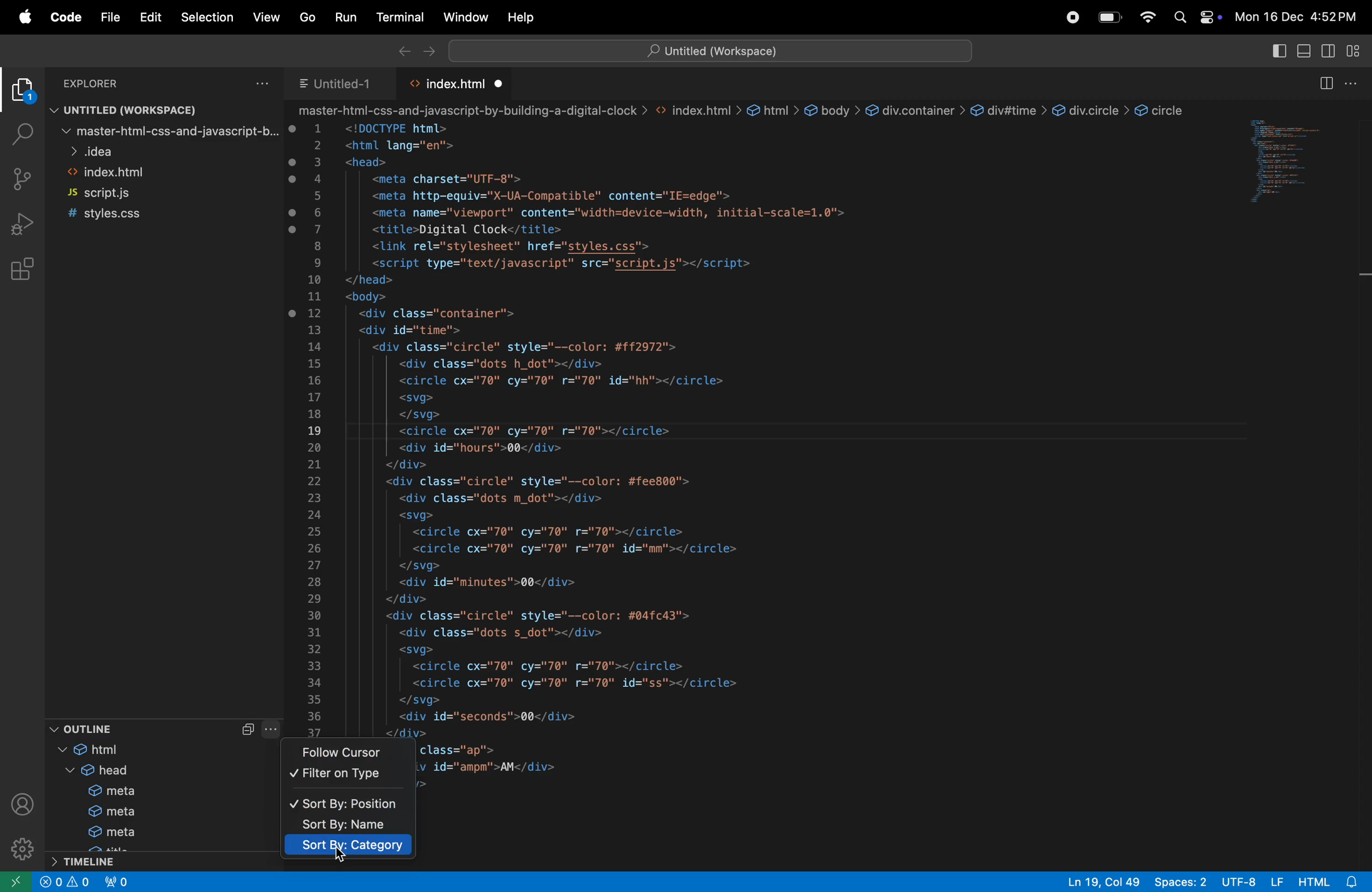 The width and height of the screenshot is (1372, 892). Describe the element at coordinates (351, 753) in the screenshot. I see `follow cursor` at that location.